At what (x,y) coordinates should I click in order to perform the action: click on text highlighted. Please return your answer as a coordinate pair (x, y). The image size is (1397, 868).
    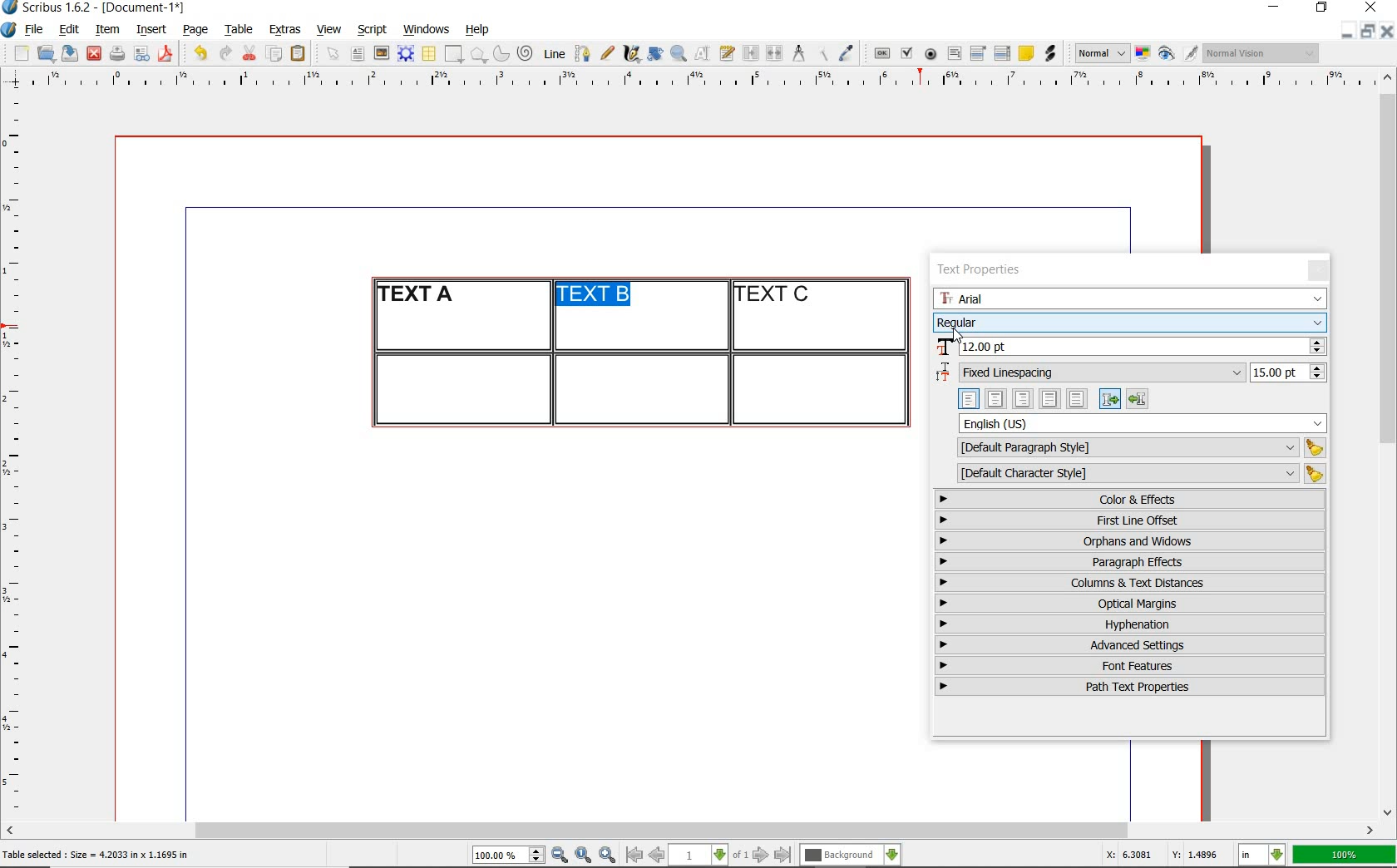
    Looking at the image, I should click on (590, 294).